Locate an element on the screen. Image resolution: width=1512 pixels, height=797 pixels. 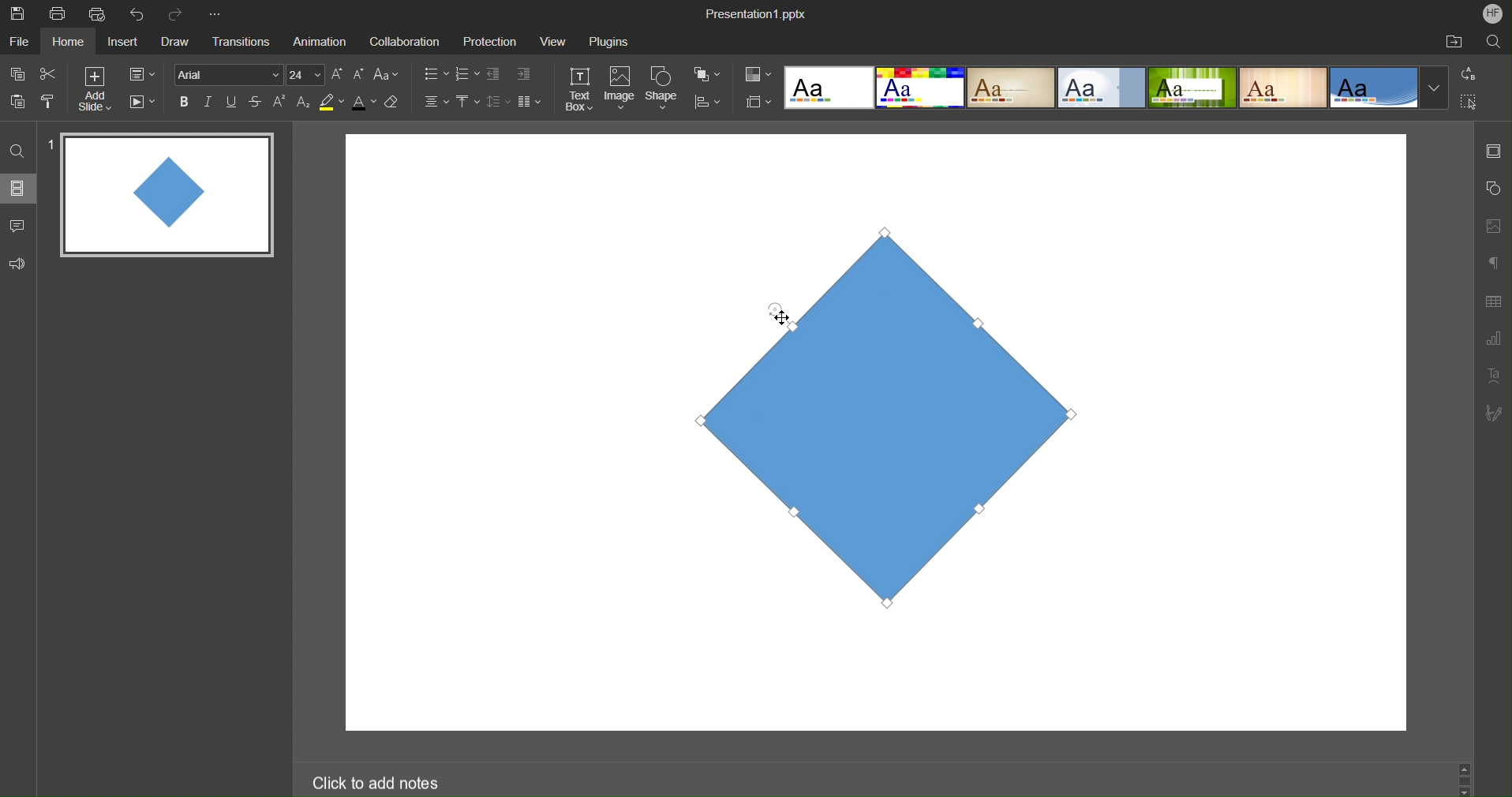
Replace is located at coordinates (1469, 74).